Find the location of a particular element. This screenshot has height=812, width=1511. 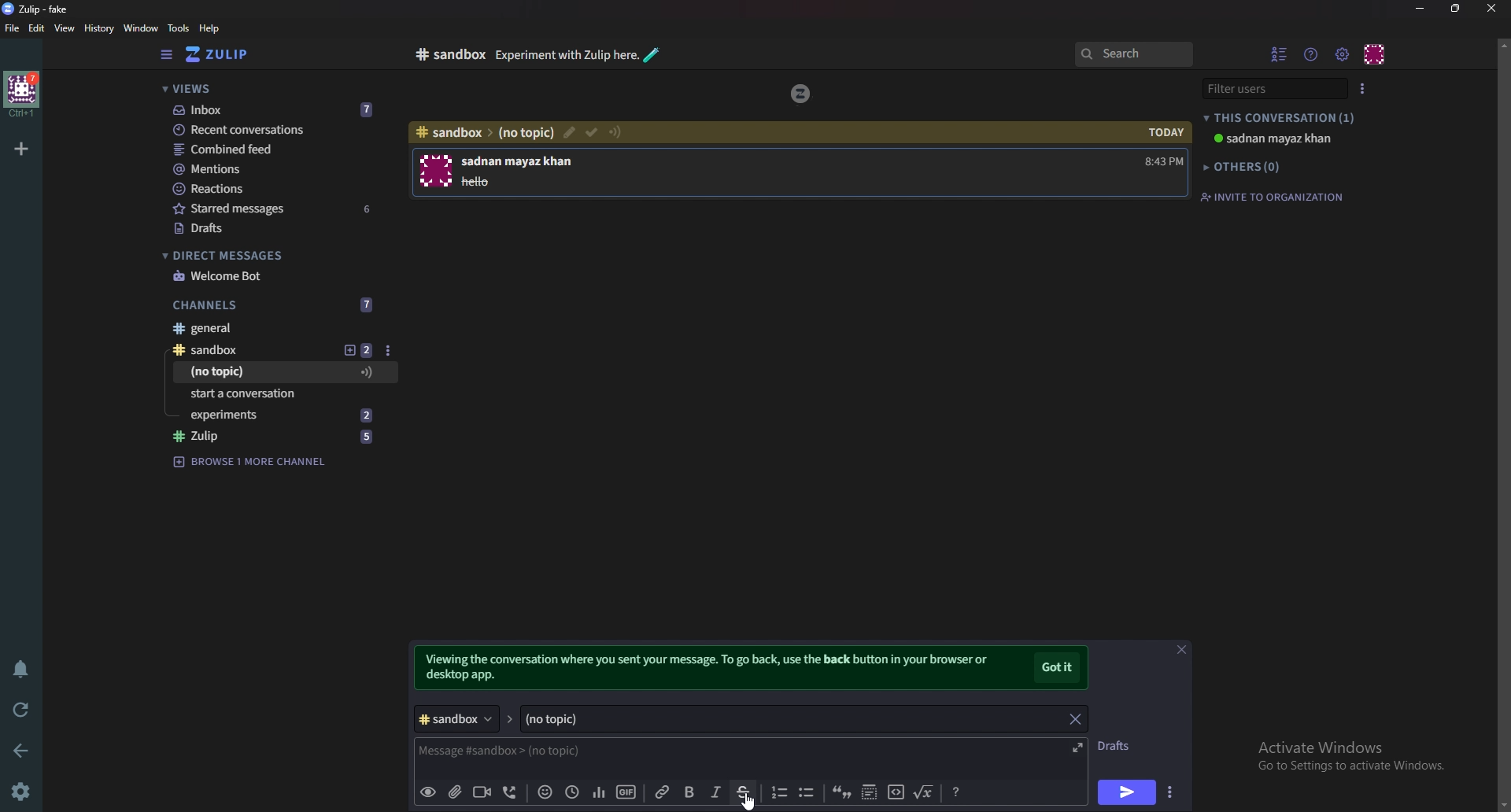

Channels is located at coordinates (275, 305).